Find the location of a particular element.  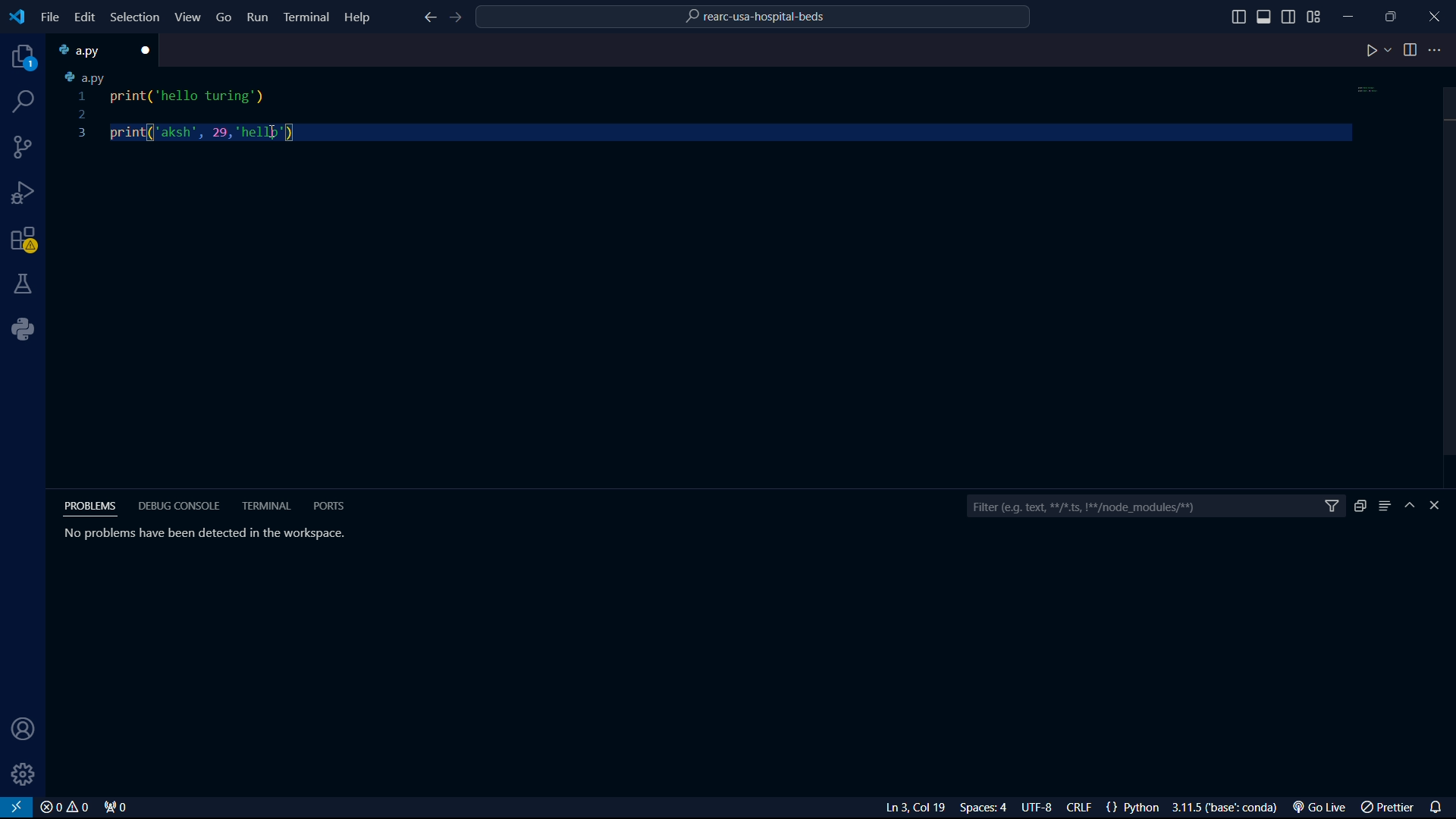

filter bar is located at coordinates (1155, 507).